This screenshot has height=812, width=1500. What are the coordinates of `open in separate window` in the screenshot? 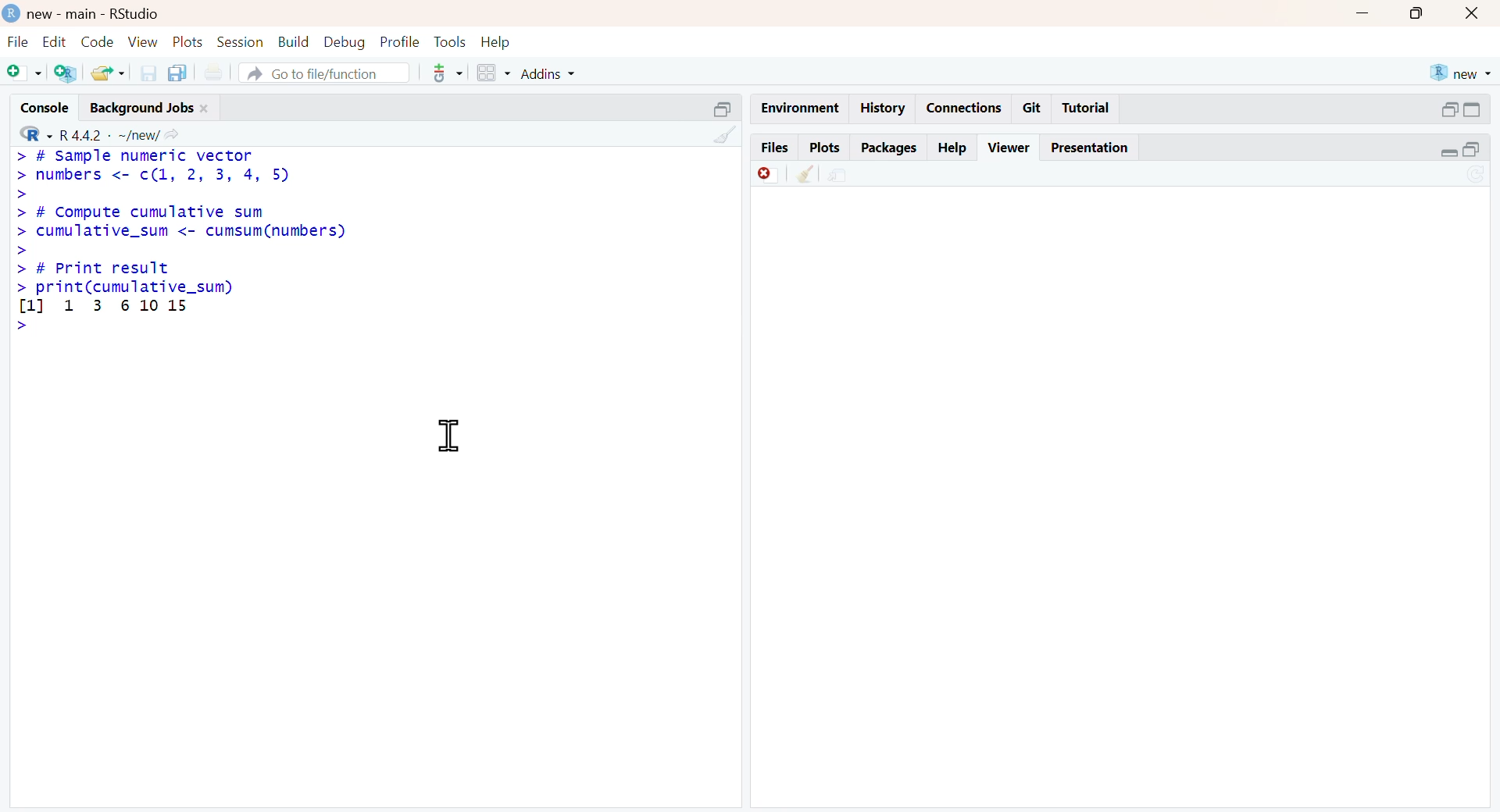 It's located at (1448, 109).